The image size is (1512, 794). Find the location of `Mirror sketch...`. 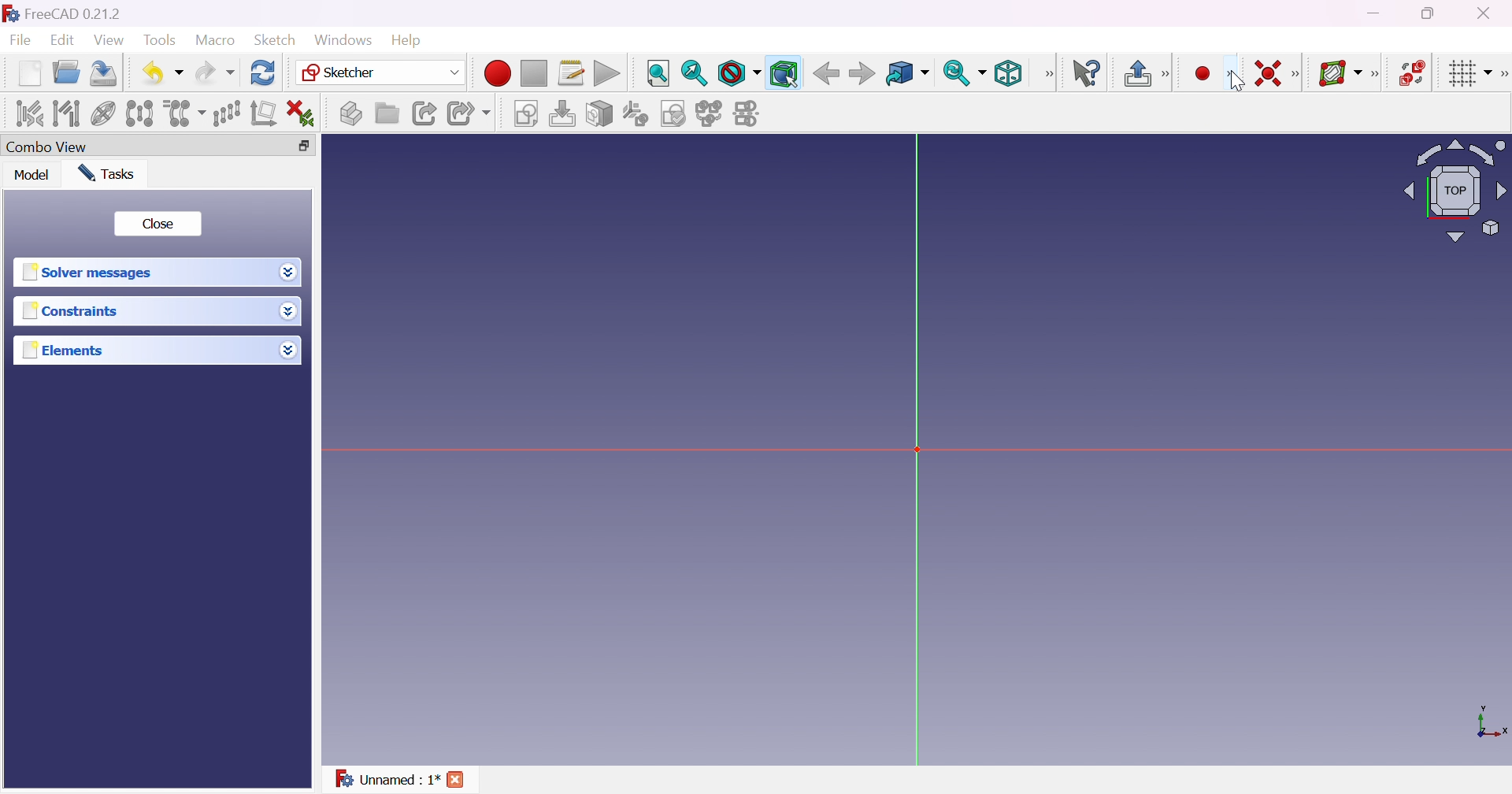

Mirror sketch... is located at coordinates (748, 113).